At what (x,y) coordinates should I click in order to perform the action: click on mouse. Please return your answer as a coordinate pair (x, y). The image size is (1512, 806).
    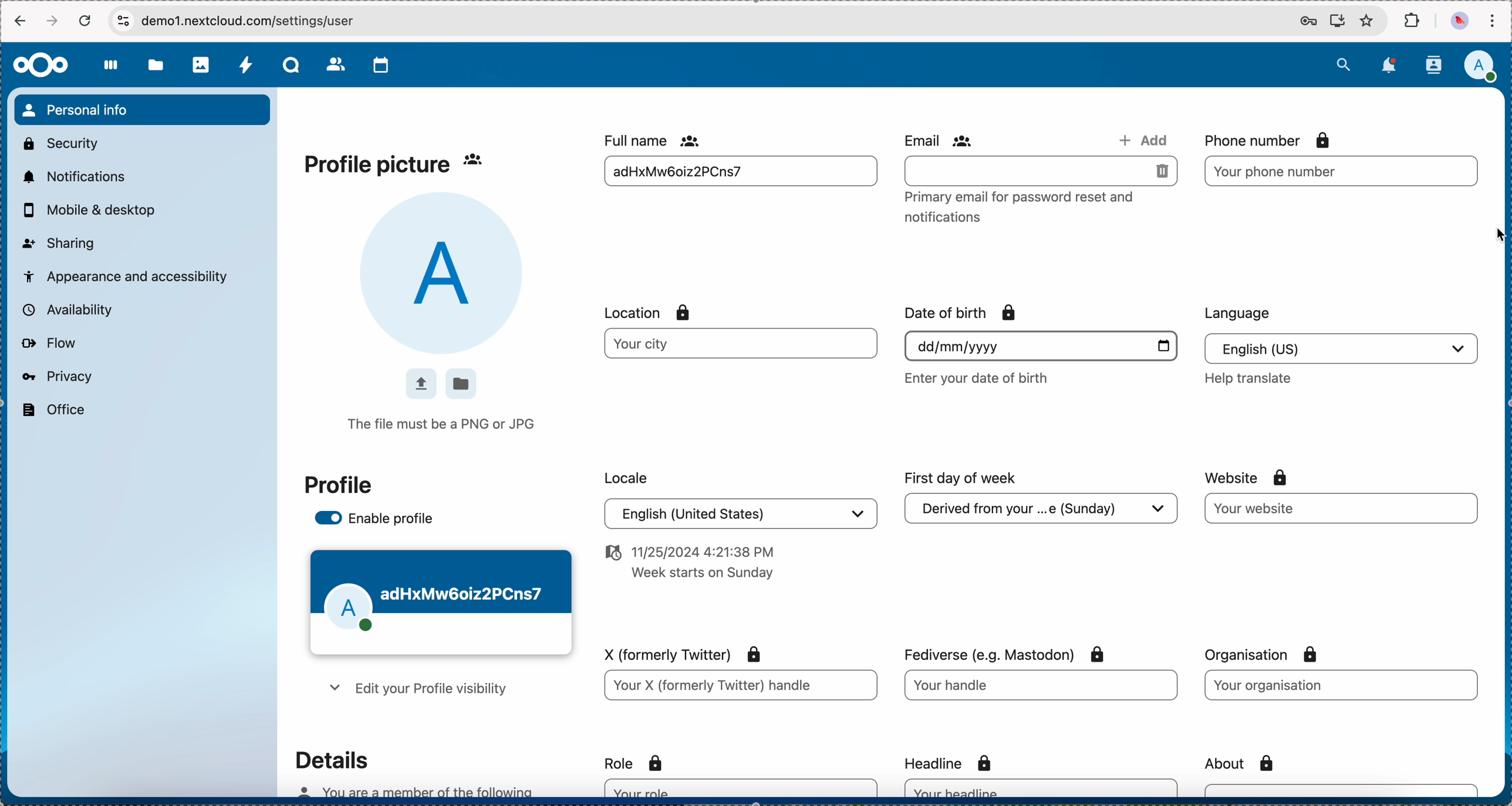
    Looking at the image, I should click on (1493, 236).